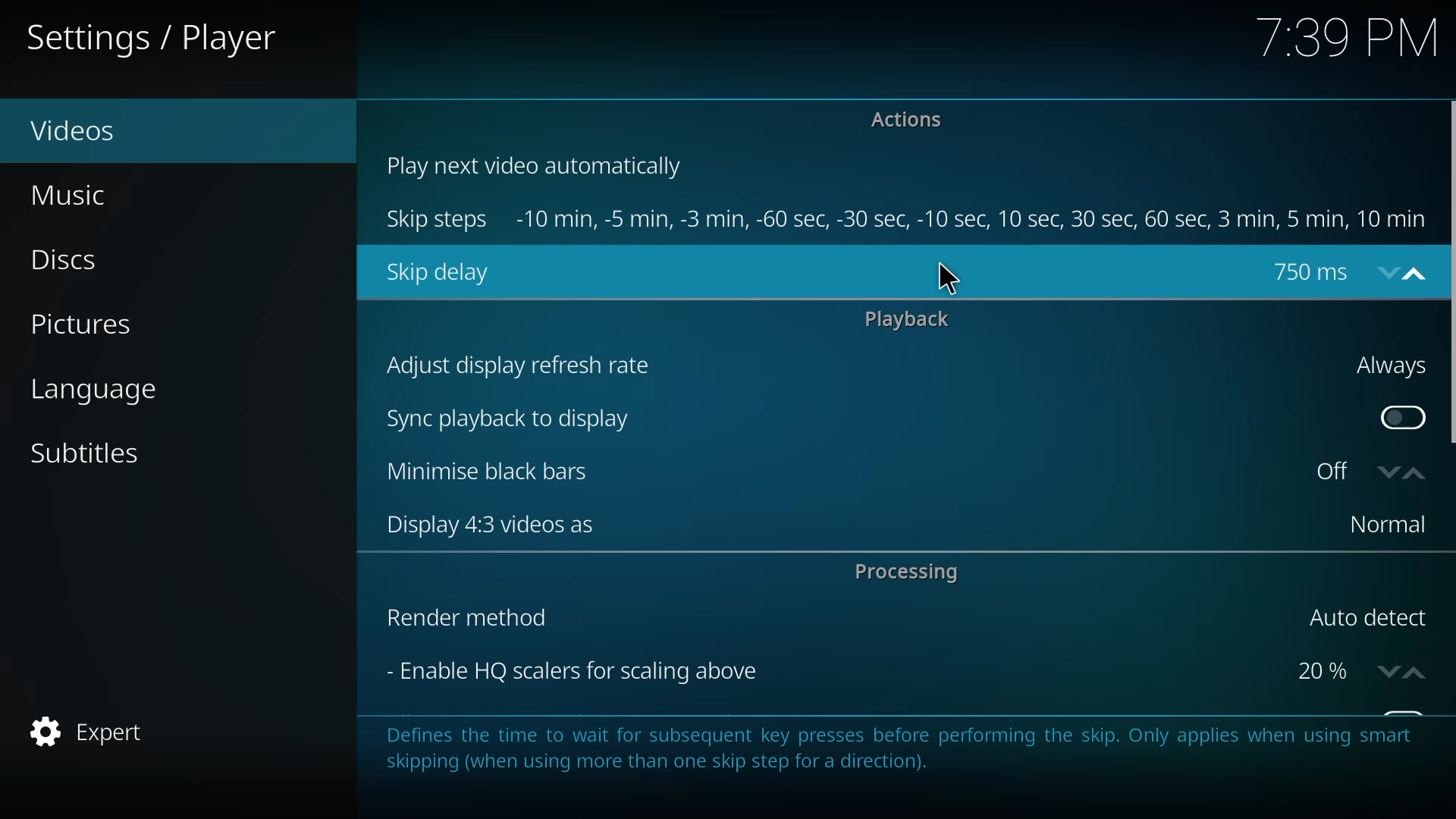 The width and height of the screenshot is (1456, 819). What do you see at coordinates (949, 278) in the screenshot?
I see `cursor` at bounding box center [949, 278].